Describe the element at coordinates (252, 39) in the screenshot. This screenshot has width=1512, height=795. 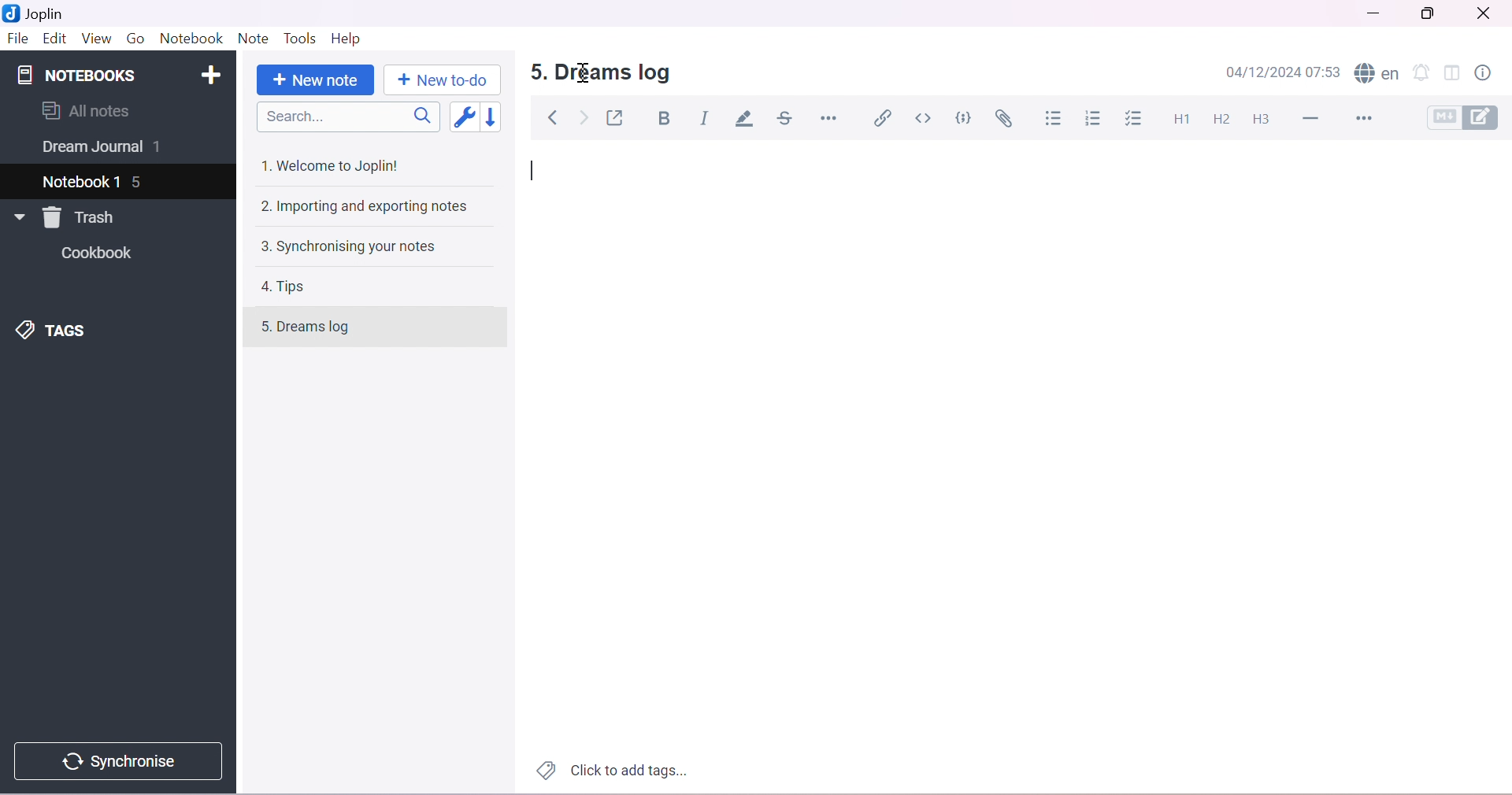
I see `Note` at that location.